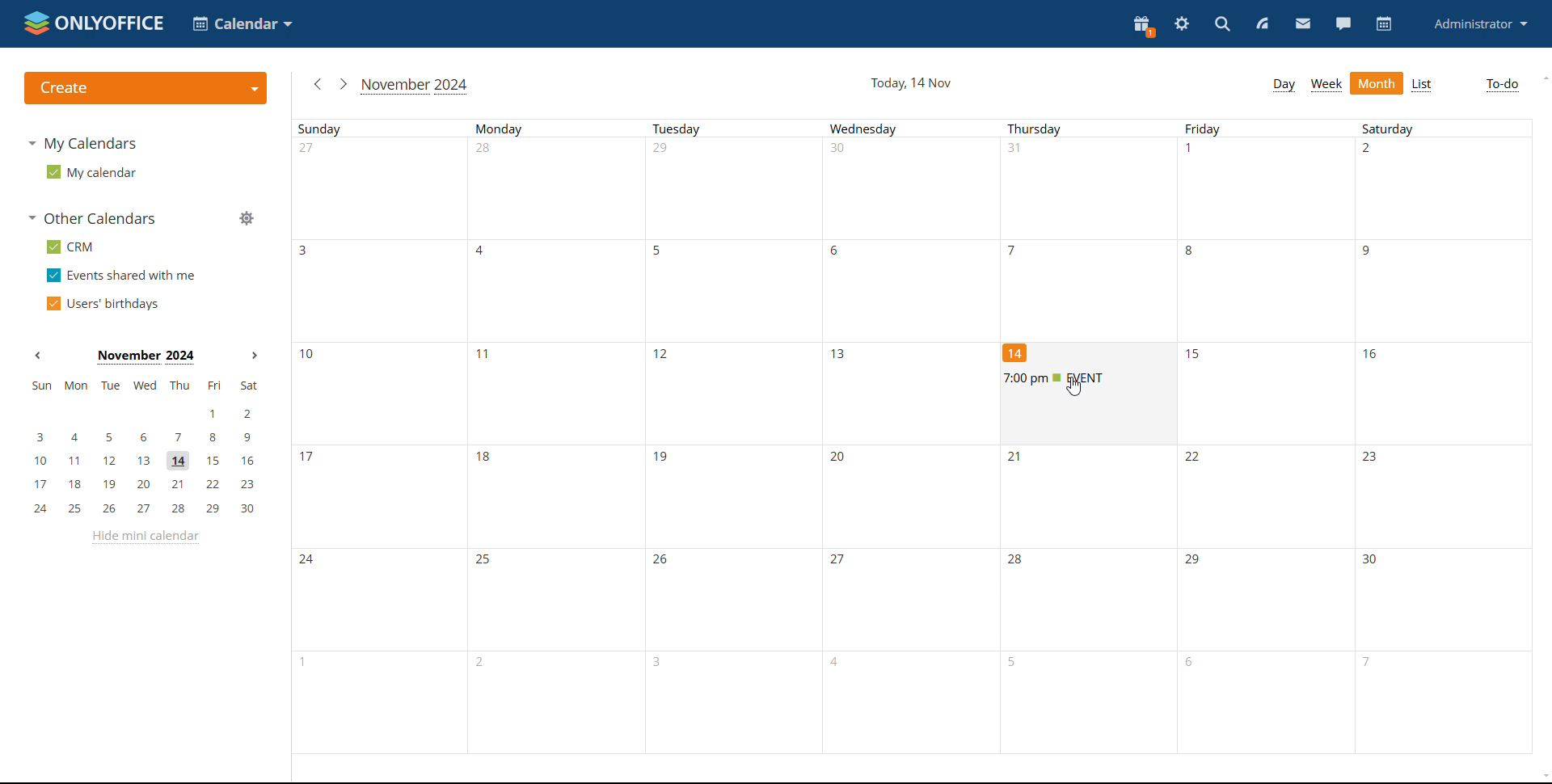  What do you see at coordinates (1093, 238) in the screenshot?
I see `days of a month` at bounding box center [1093, 238].